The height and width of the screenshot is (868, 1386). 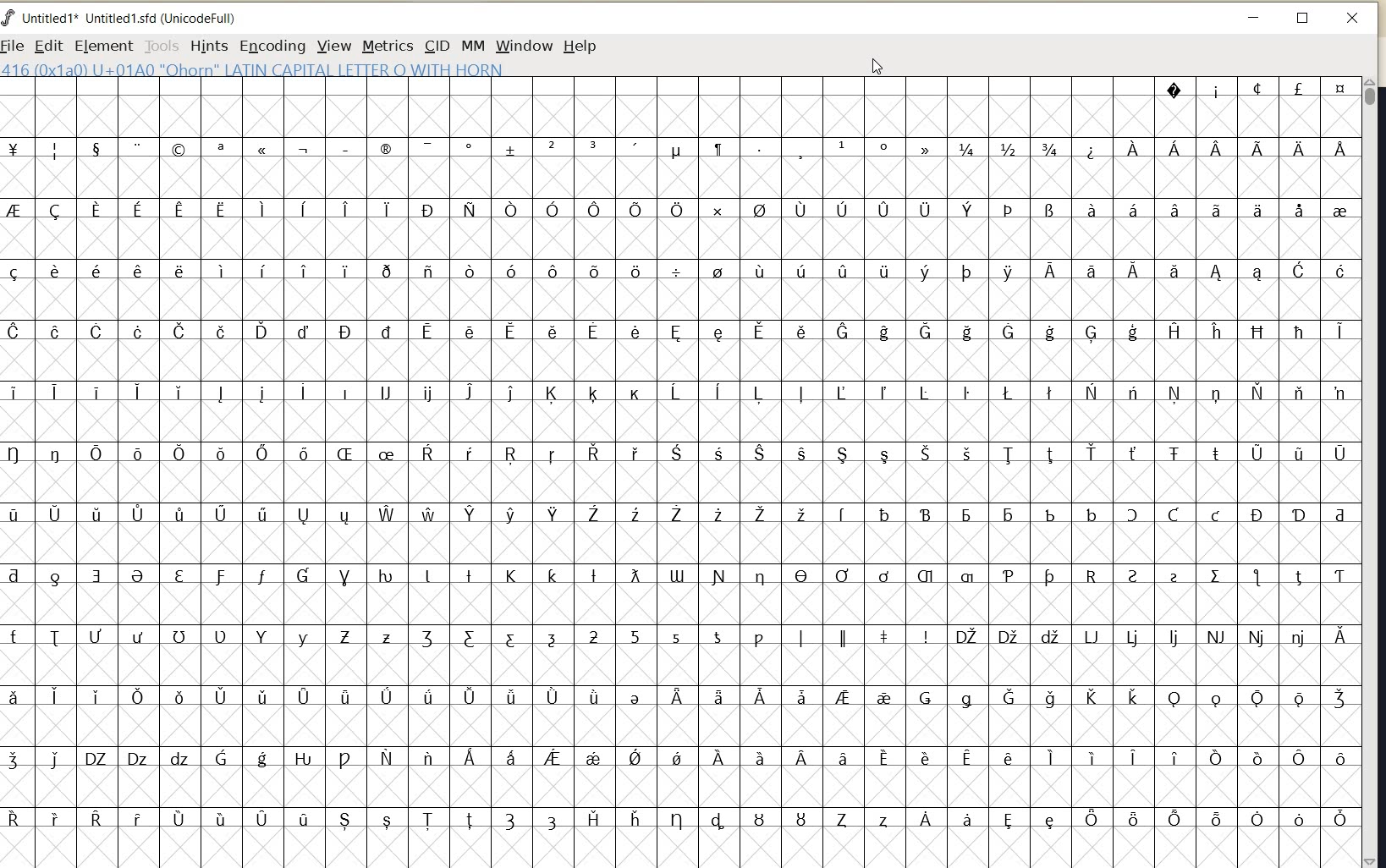 I want to click on ELEMENT, so click(x=101, y=46).